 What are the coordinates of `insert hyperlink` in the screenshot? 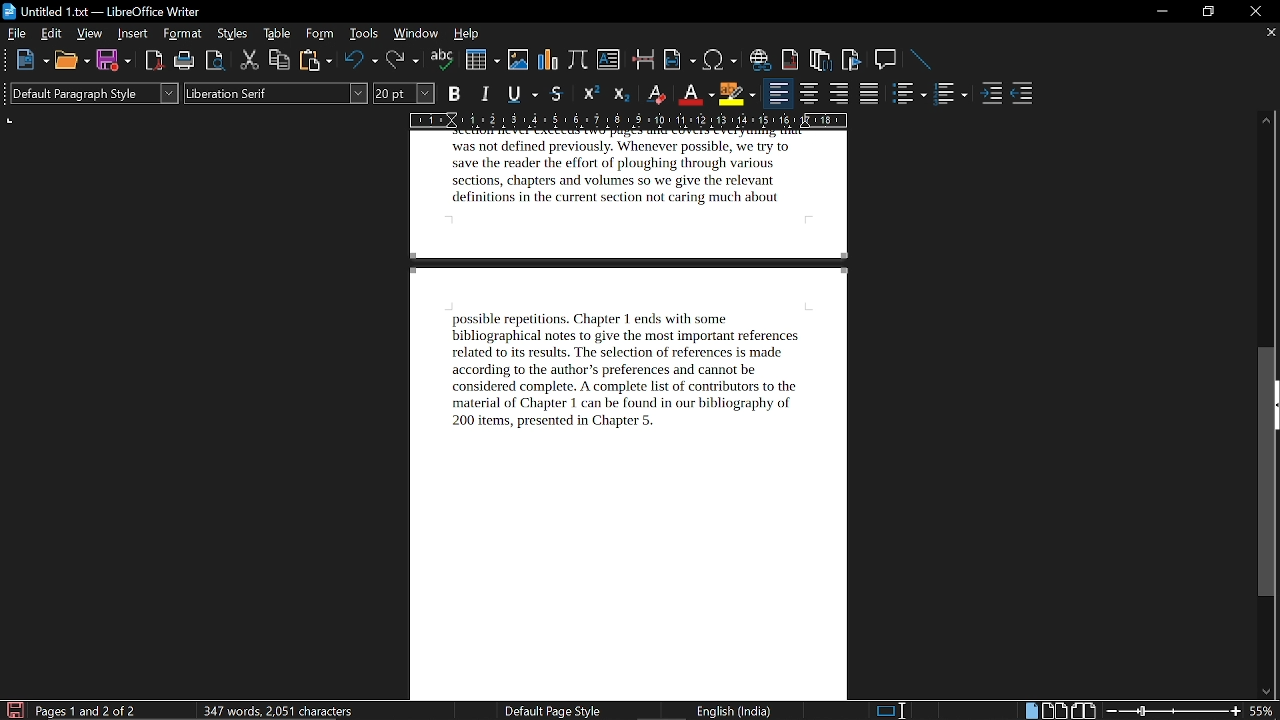 It's located at (762, 61).